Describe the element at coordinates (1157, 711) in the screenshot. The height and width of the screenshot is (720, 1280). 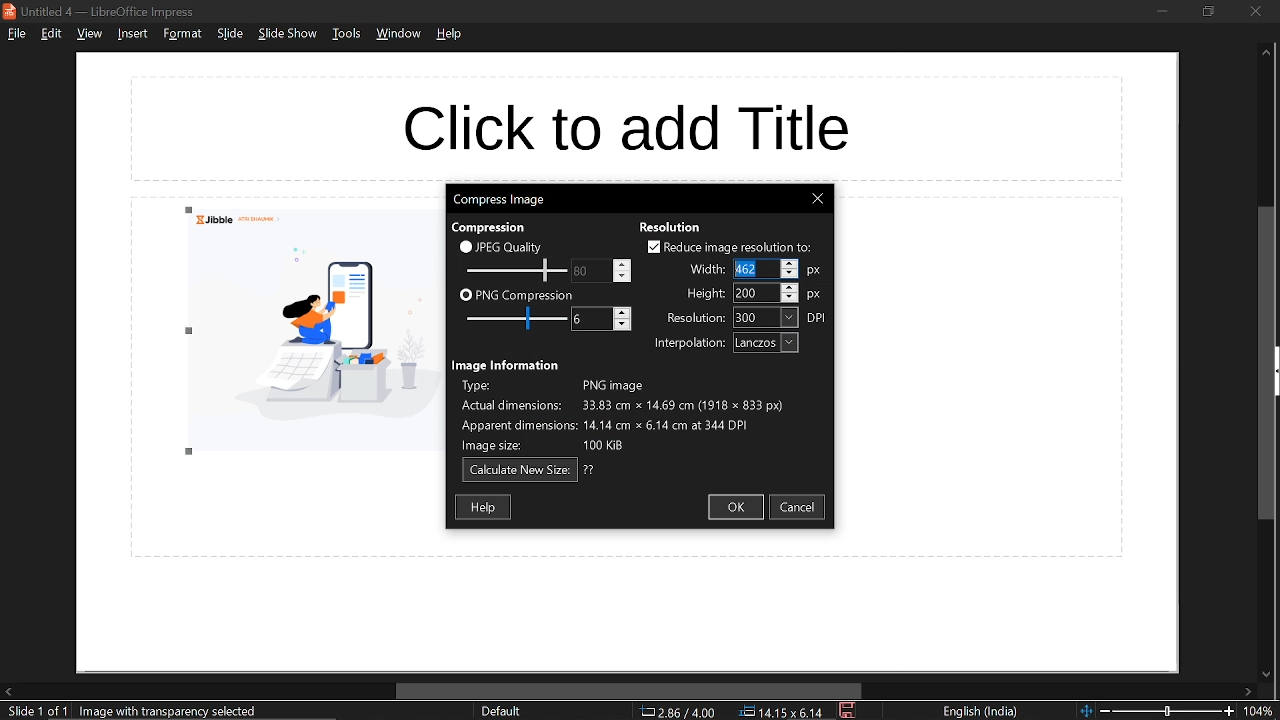
I see `change zoom` at that location.